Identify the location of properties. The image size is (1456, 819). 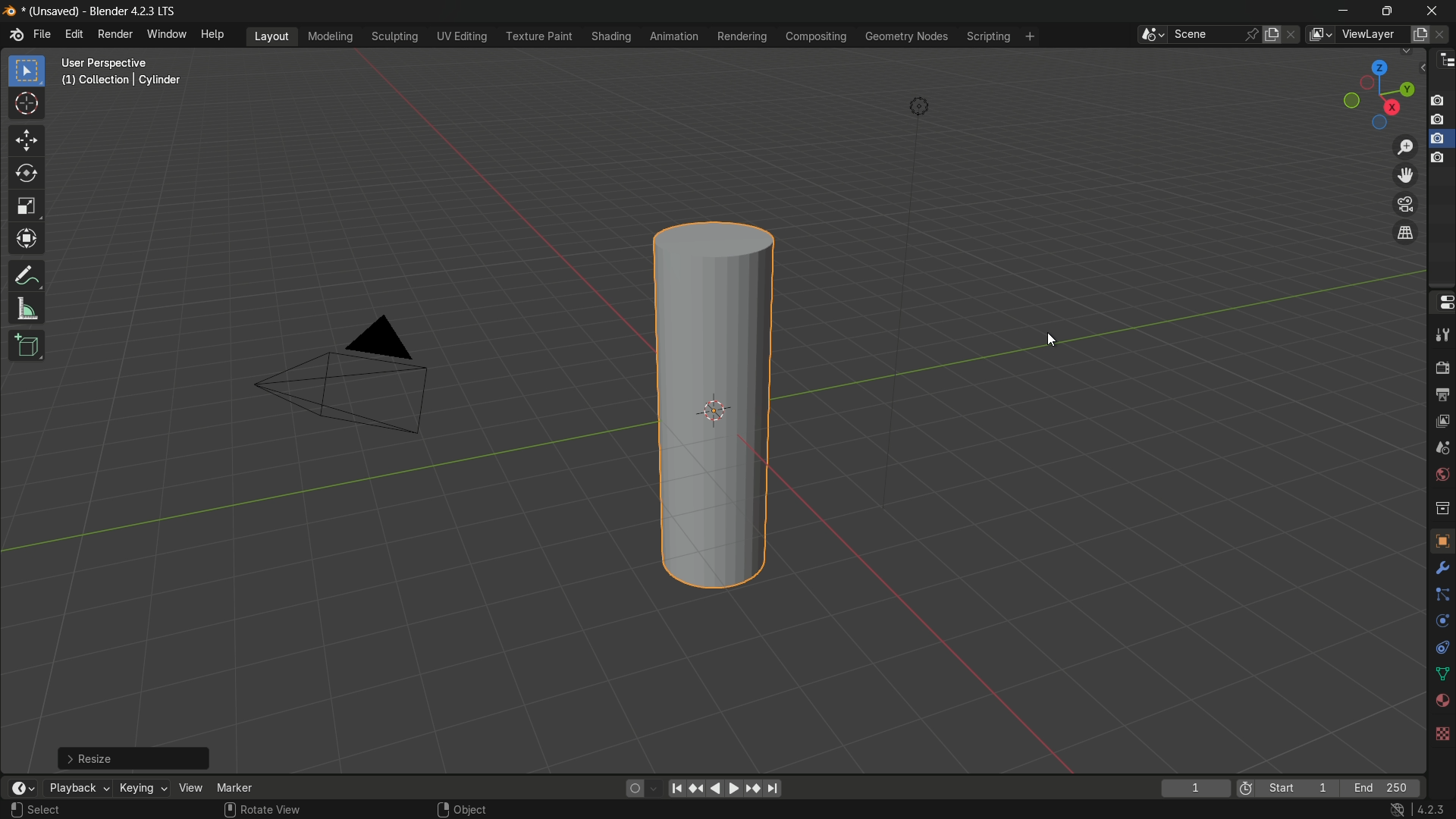
(1442, 302).